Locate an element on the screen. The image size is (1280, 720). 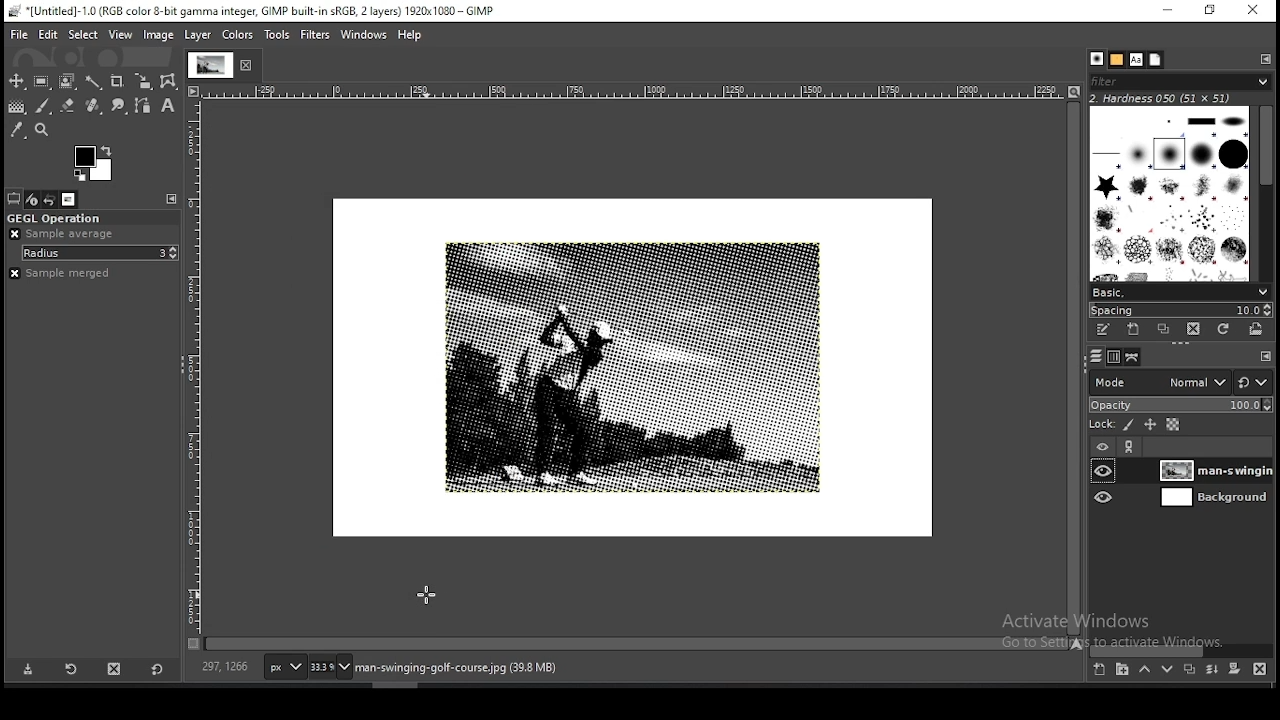
image (halftone) is located at coordinates (633, 367).